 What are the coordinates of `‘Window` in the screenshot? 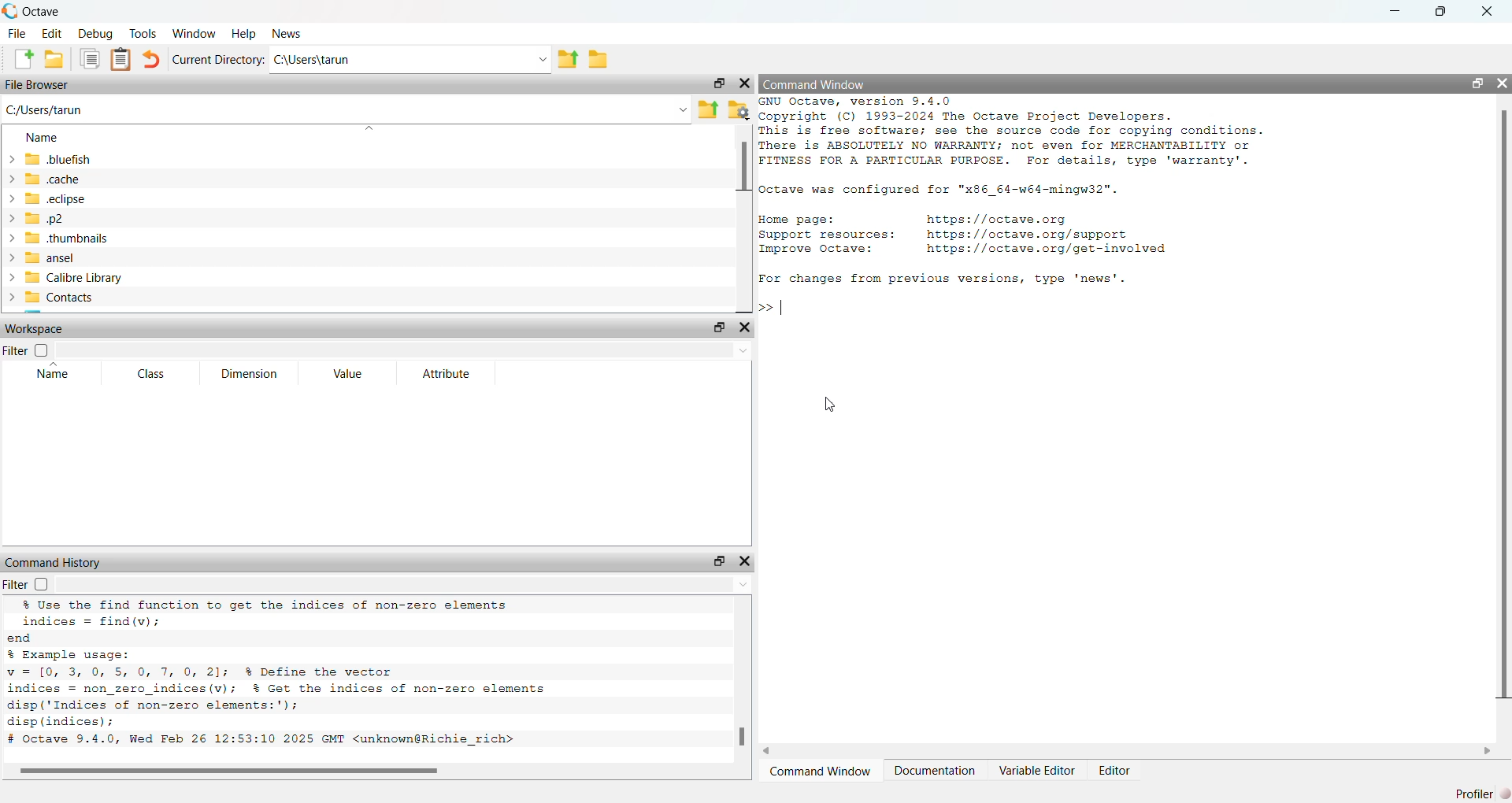 It's located at (192, 34).